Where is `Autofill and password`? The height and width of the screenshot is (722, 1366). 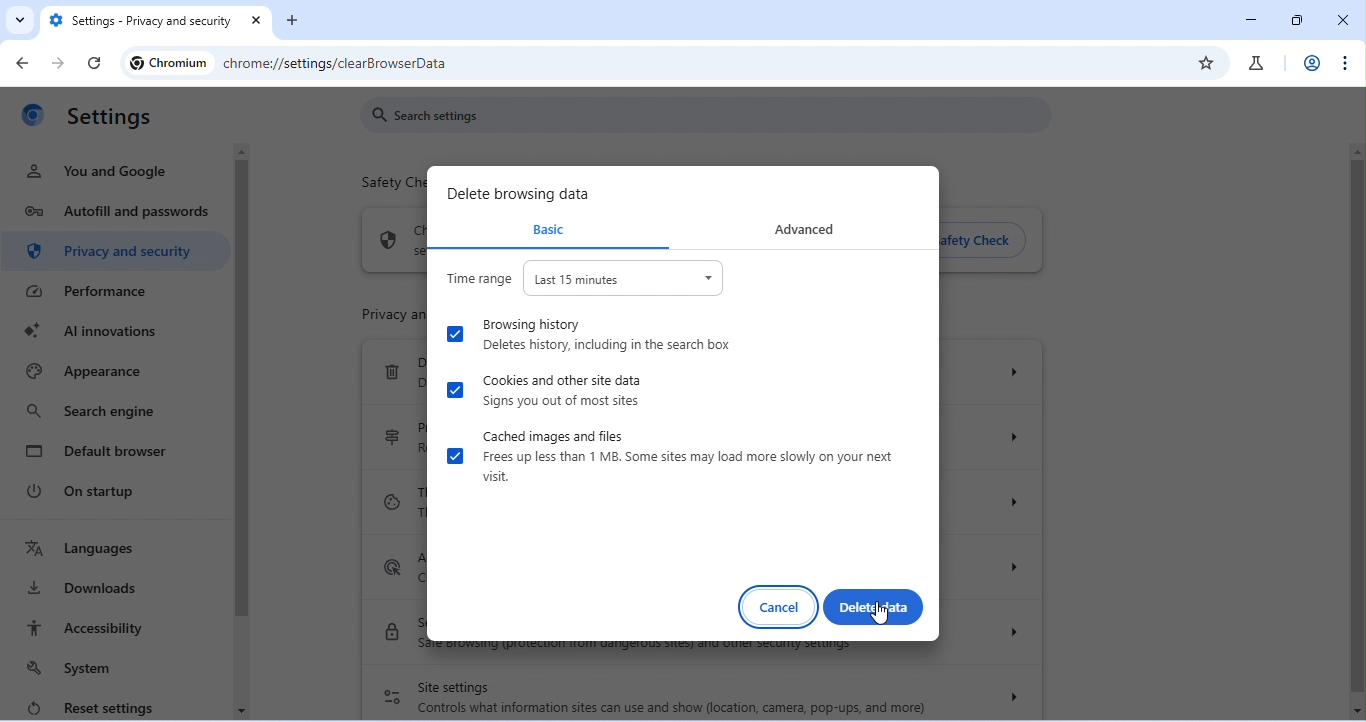 Autofill and password is located at coordinates (117, 214).